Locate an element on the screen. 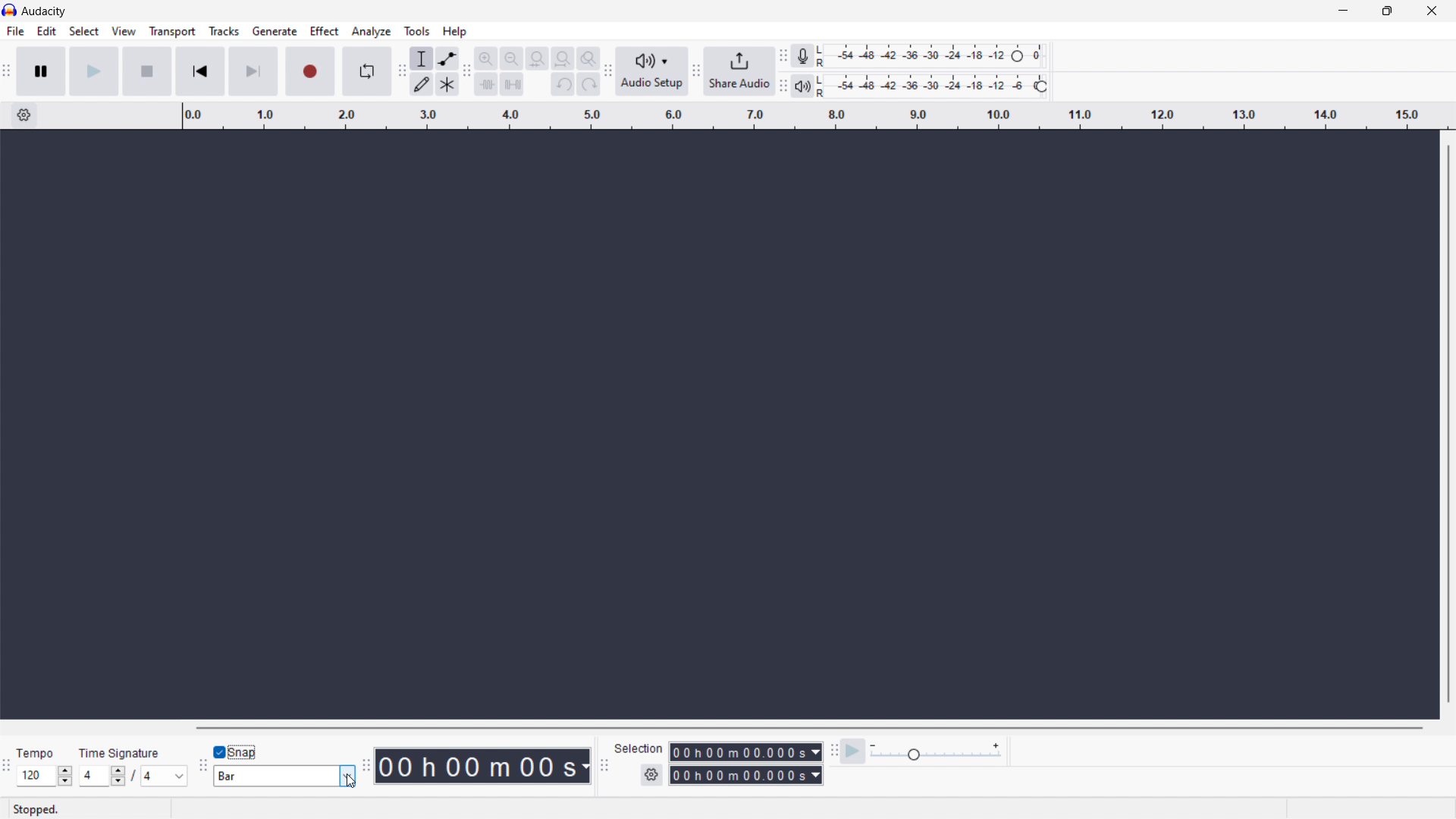  share audio toolbar is located at coordinates (696, 71).